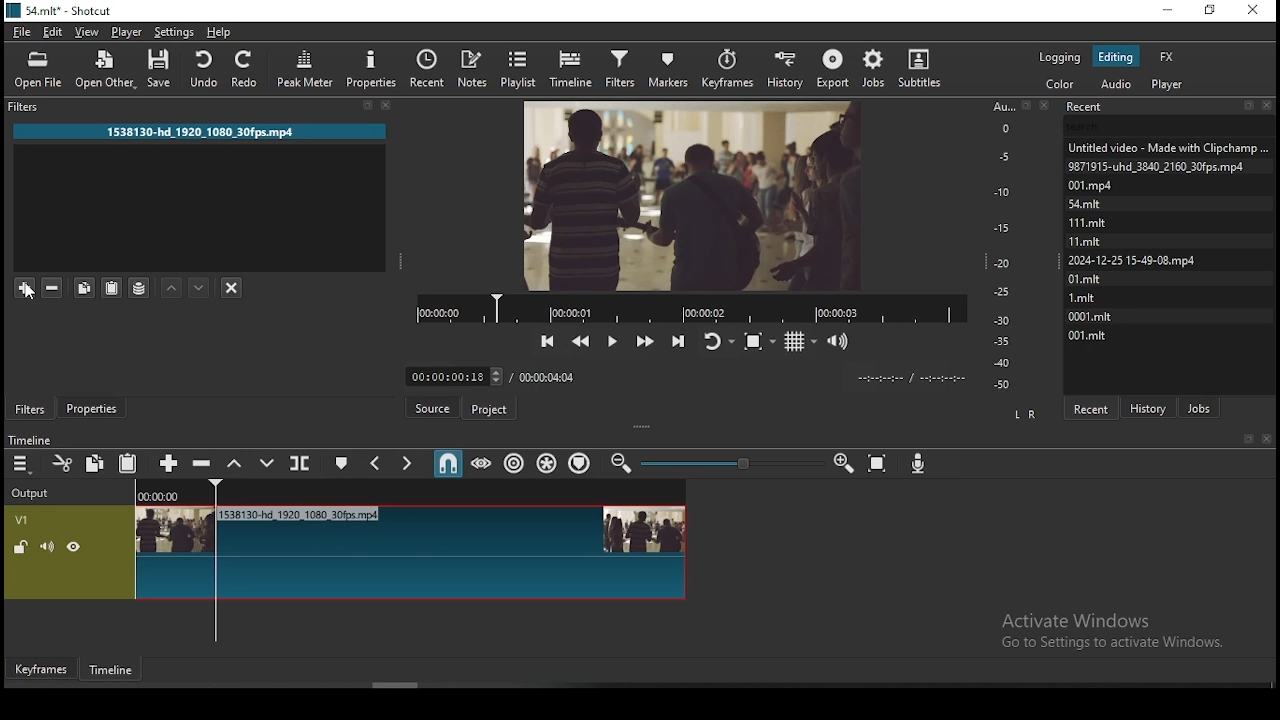  Describe the element at coordinates (838, 464) in the screenshot. I see `zoom timeline out` at that location.